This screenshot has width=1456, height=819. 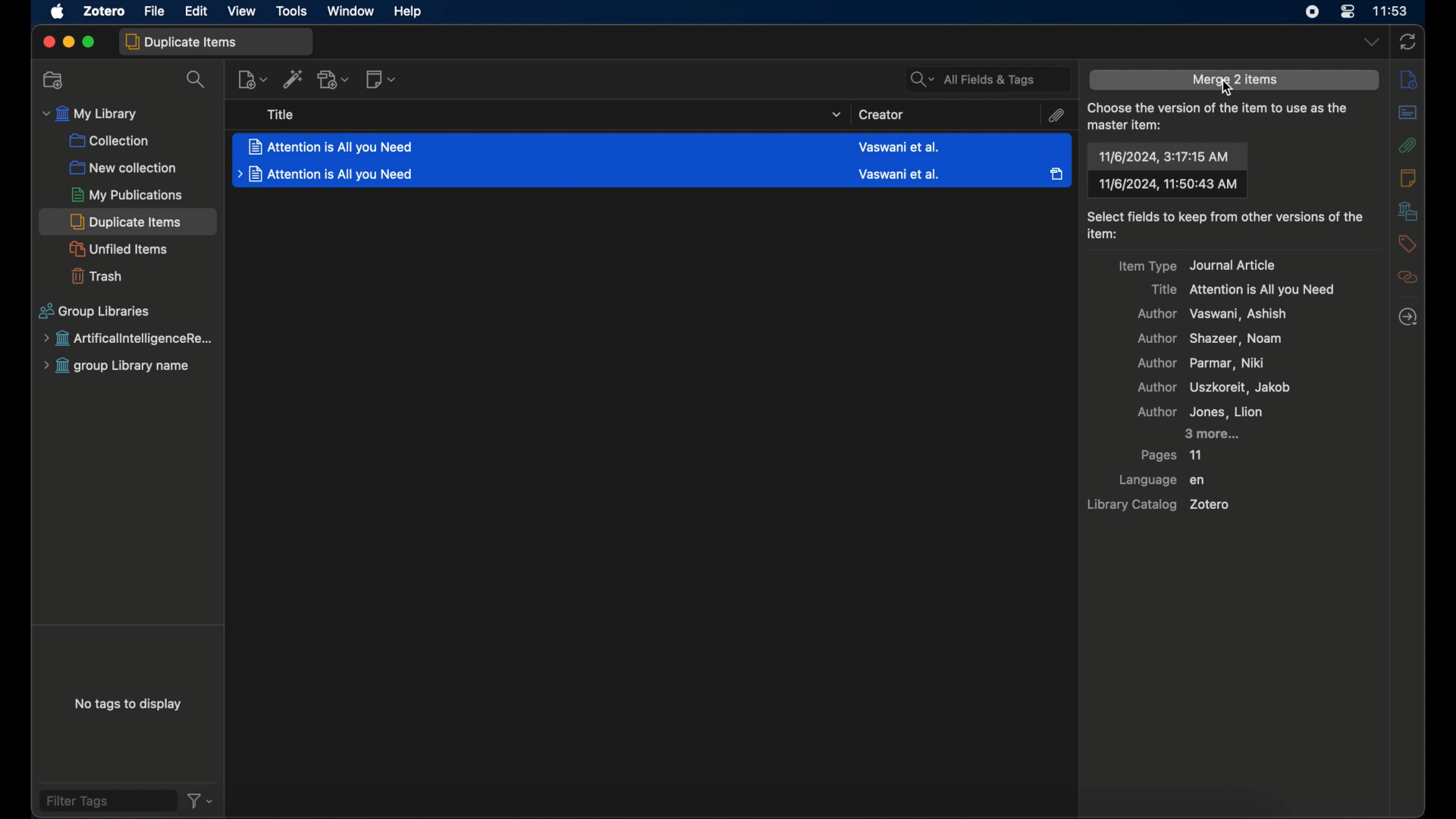 What do you see at coordinates (1408, 113) in the screenshot?
I see `abstract` at bounding box center [1408, 113].